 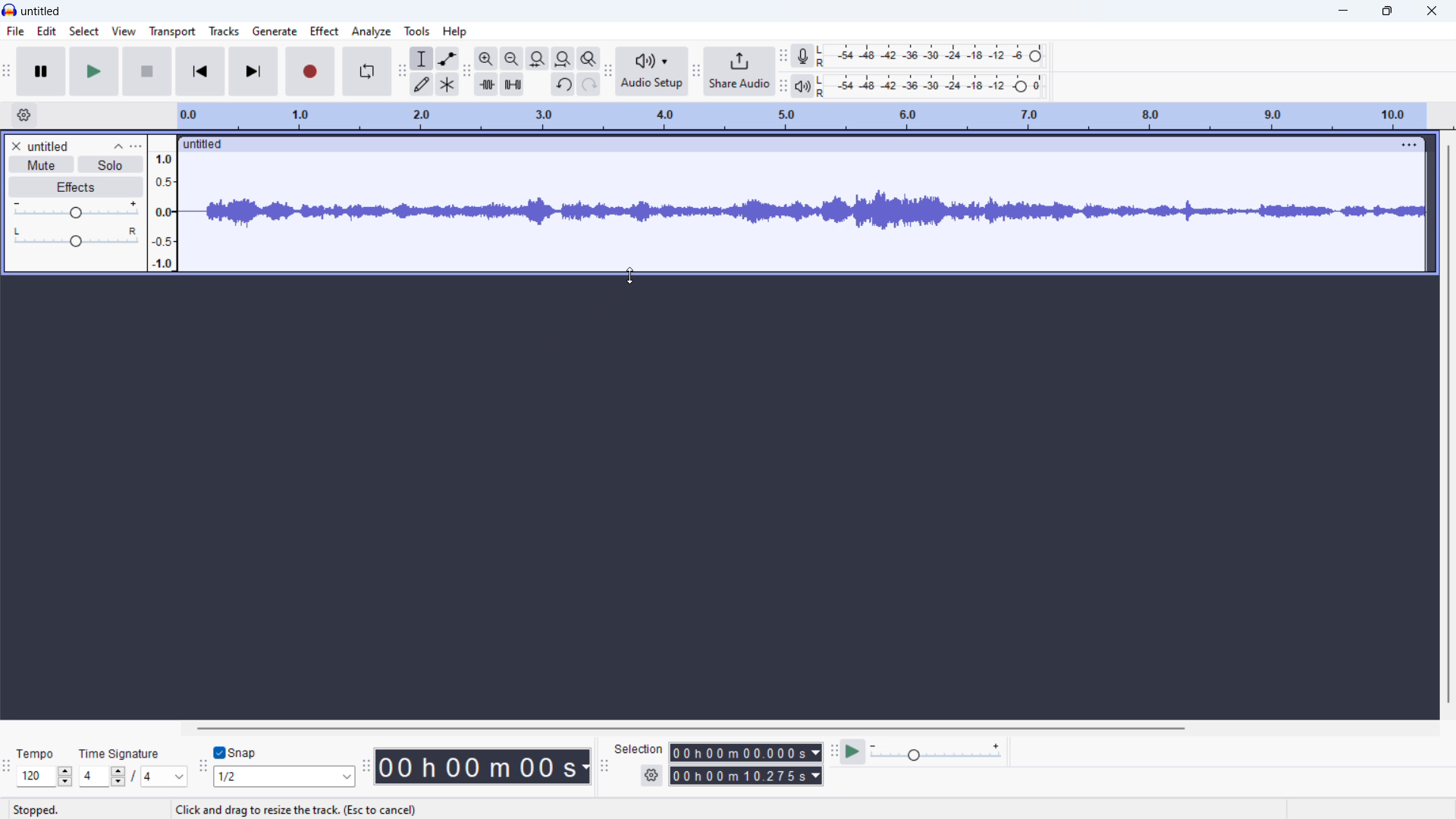 I want to click on tracks, so click(x=223, y=31).